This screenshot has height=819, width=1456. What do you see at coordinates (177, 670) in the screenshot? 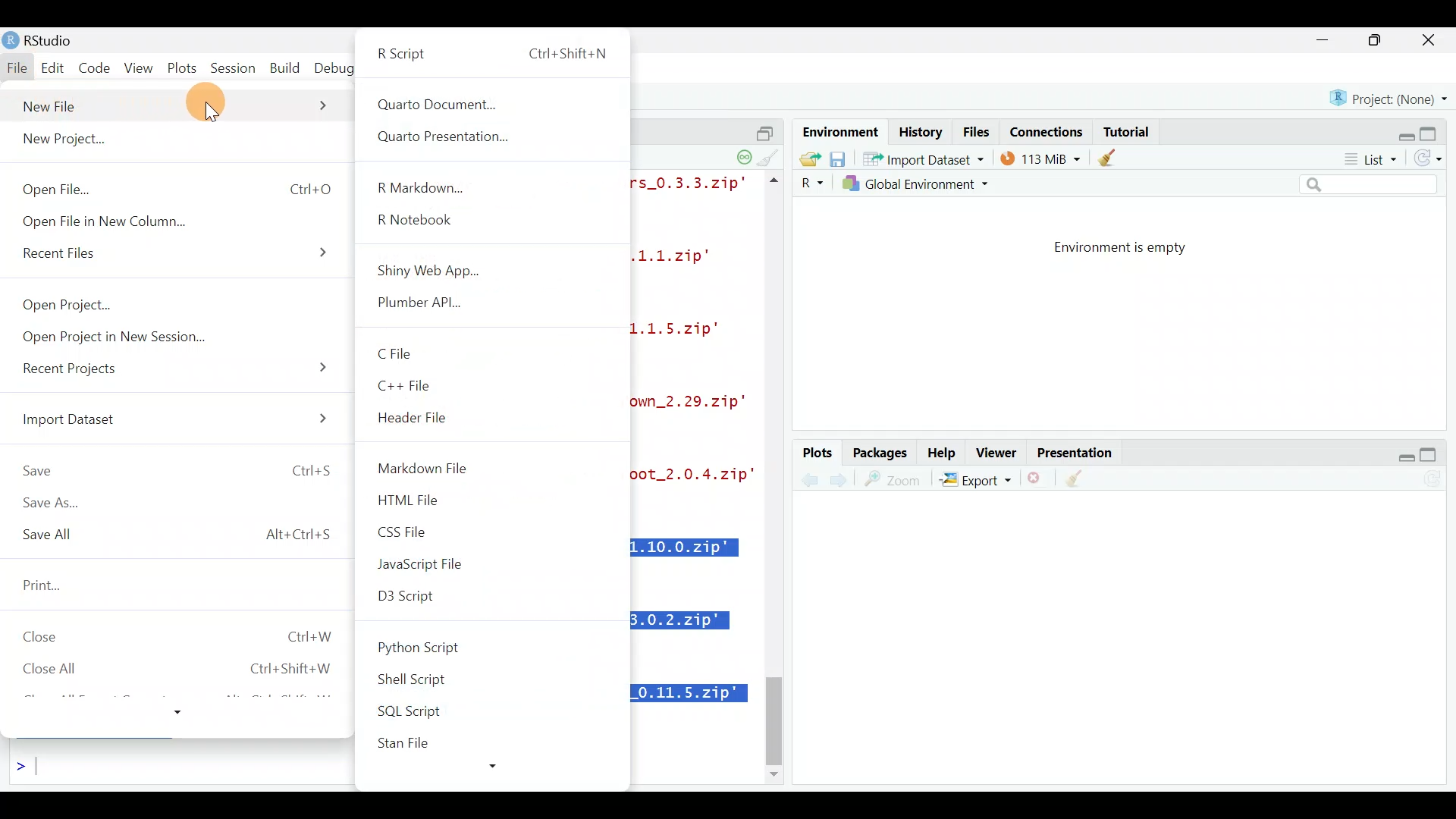
I see `Close All Ctrl+Shift+W` at bounding box center [177, 670].